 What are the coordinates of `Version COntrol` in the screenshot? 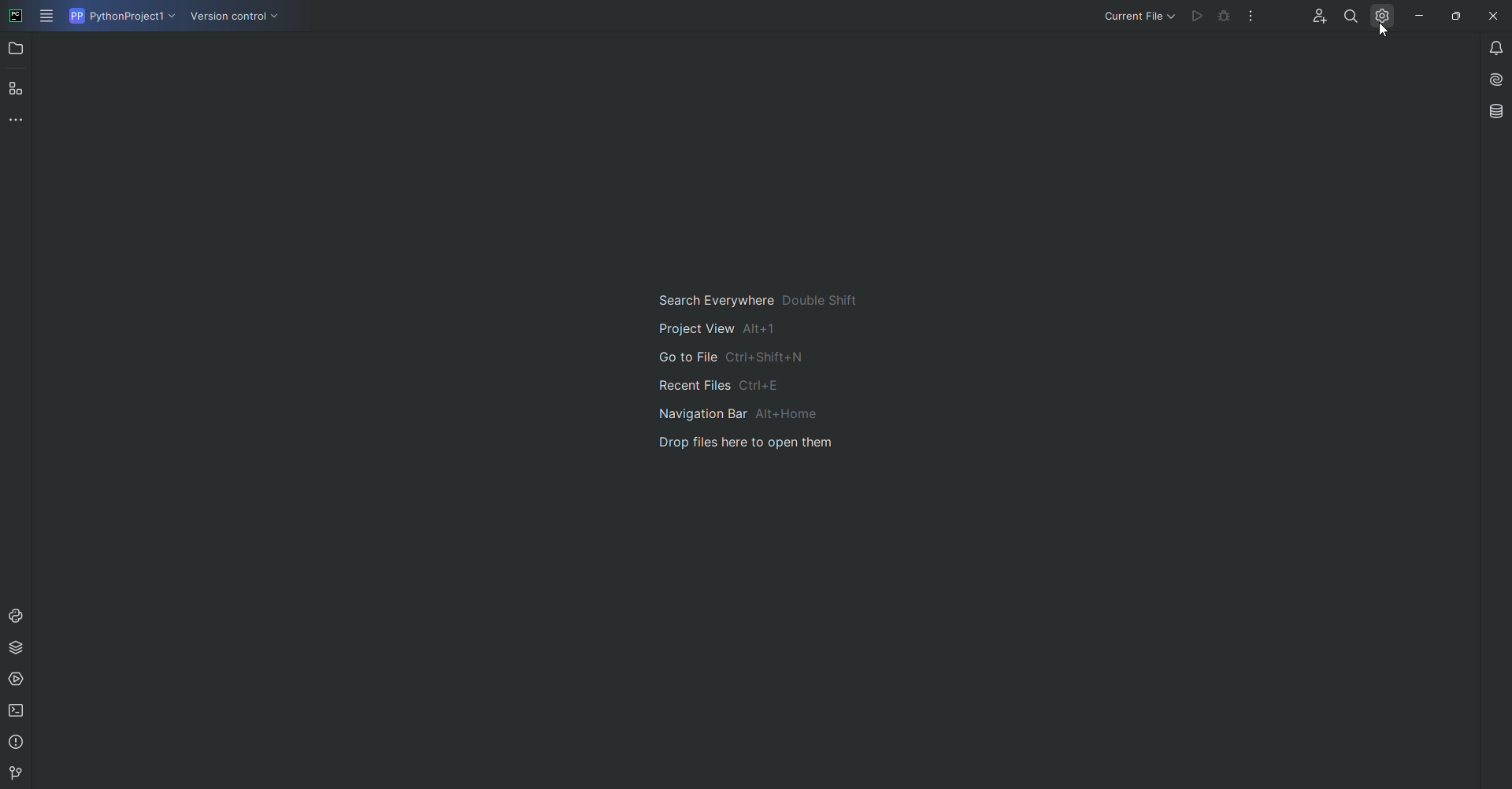 It's located at (238, 19).